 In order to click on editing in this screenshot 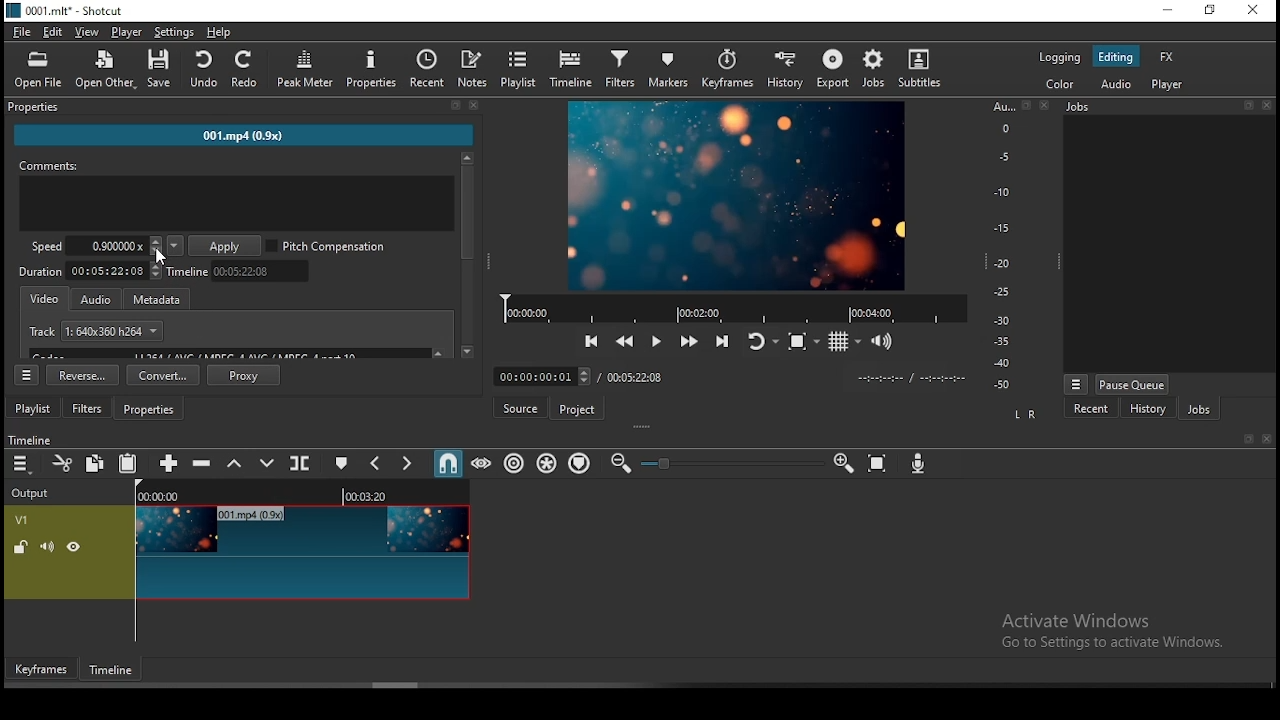, I will do `click(1115, 58)`.